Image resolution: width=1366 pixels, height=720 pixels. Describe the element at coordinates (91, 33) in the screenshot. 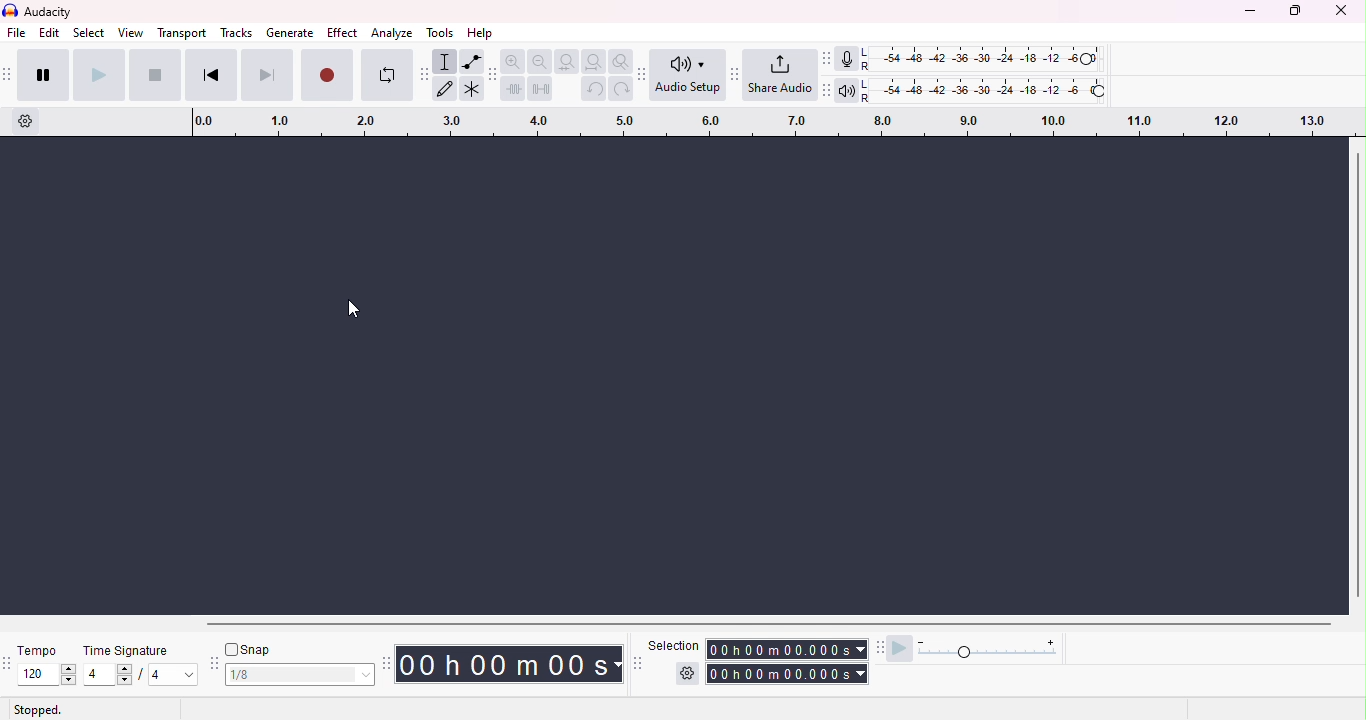

I see `select` at that location.